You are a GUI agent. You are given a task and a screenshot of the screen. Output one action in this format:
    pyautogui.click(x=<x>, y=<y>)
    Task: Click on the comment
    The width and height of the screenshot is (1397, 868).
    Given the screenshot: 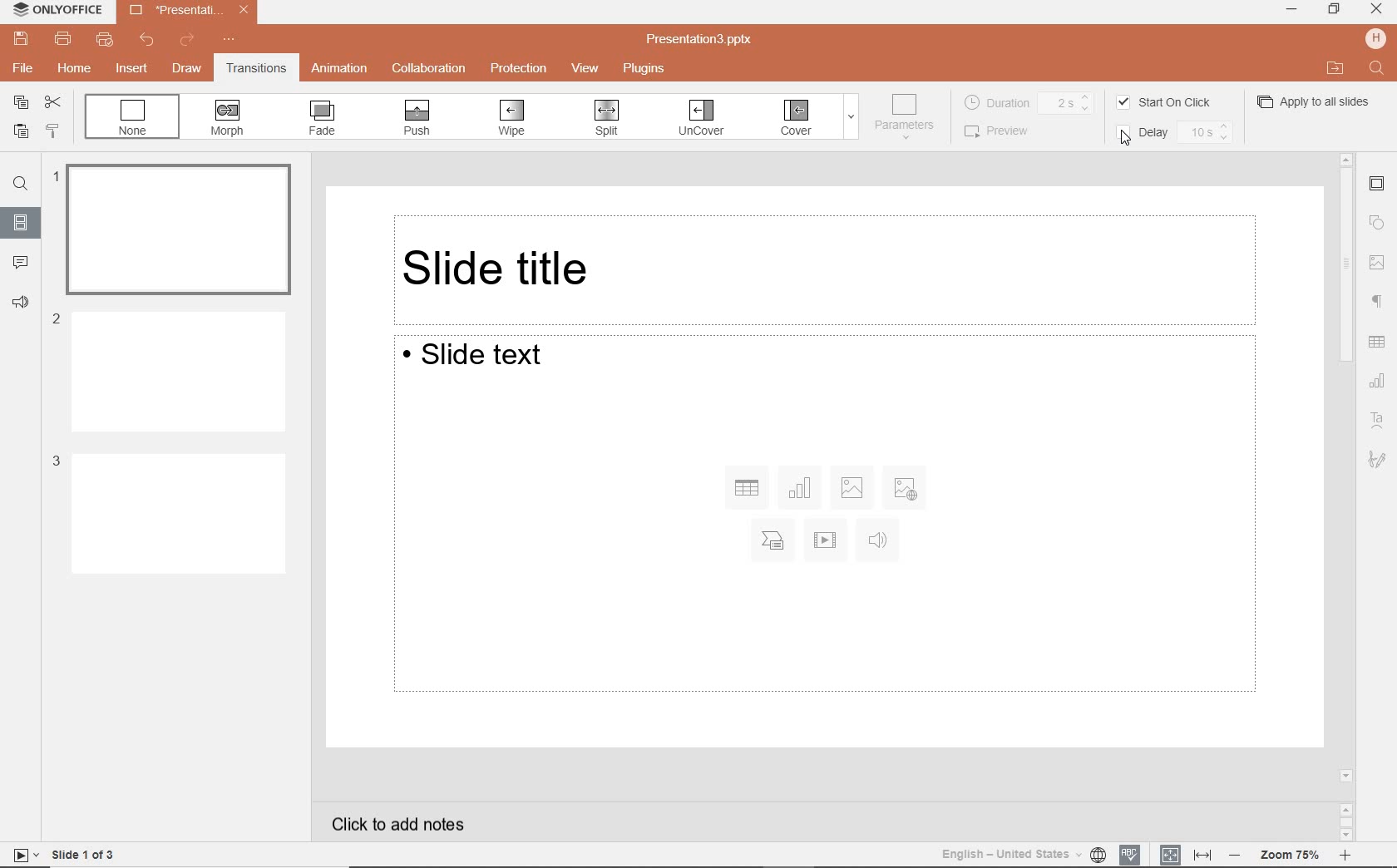 What is the action you would take?
    pyautogui.click(x=22, y=262)
    